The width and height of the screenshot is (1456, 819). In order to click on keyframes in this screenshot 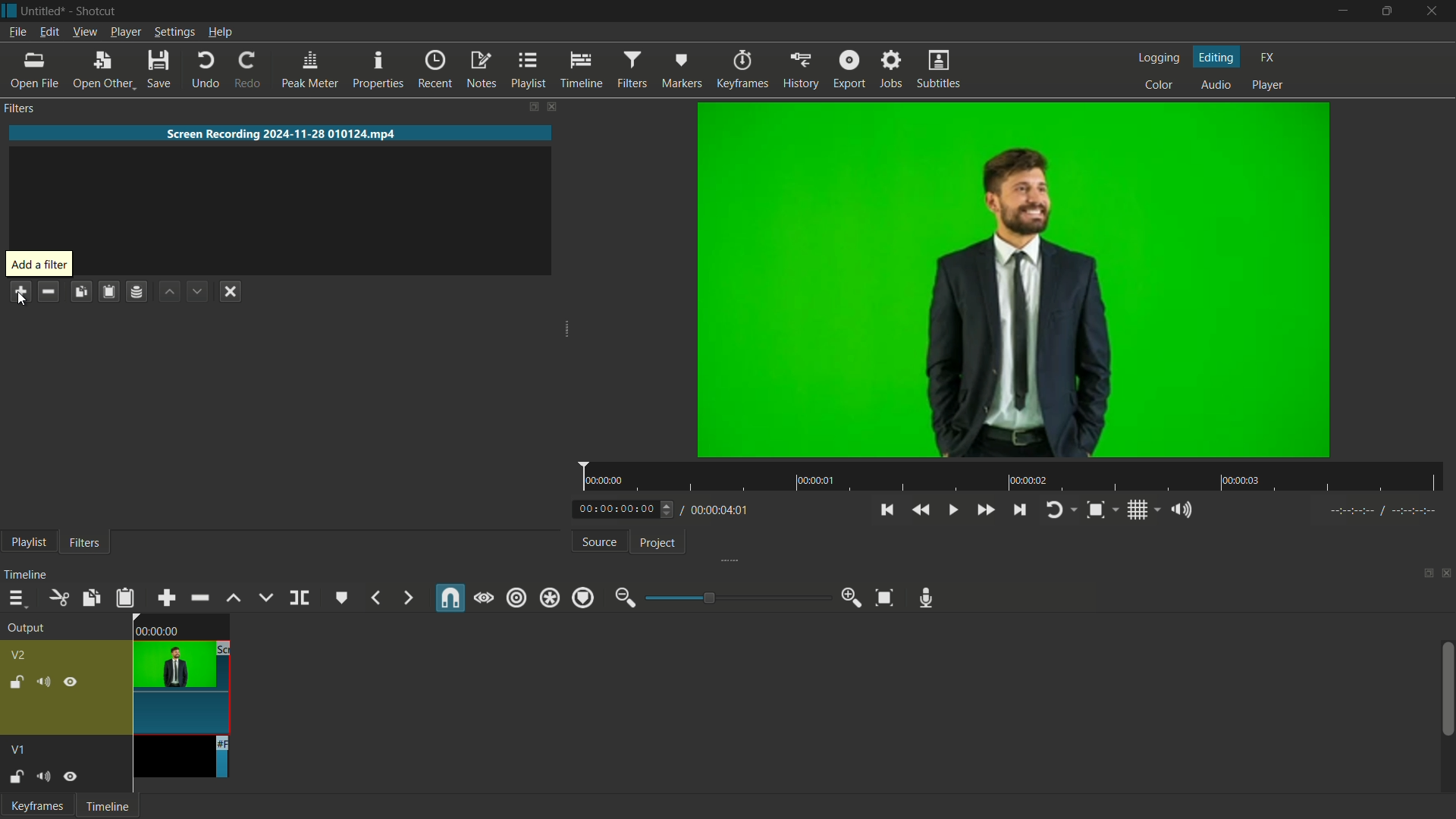, I will do `click(741, 70)`.